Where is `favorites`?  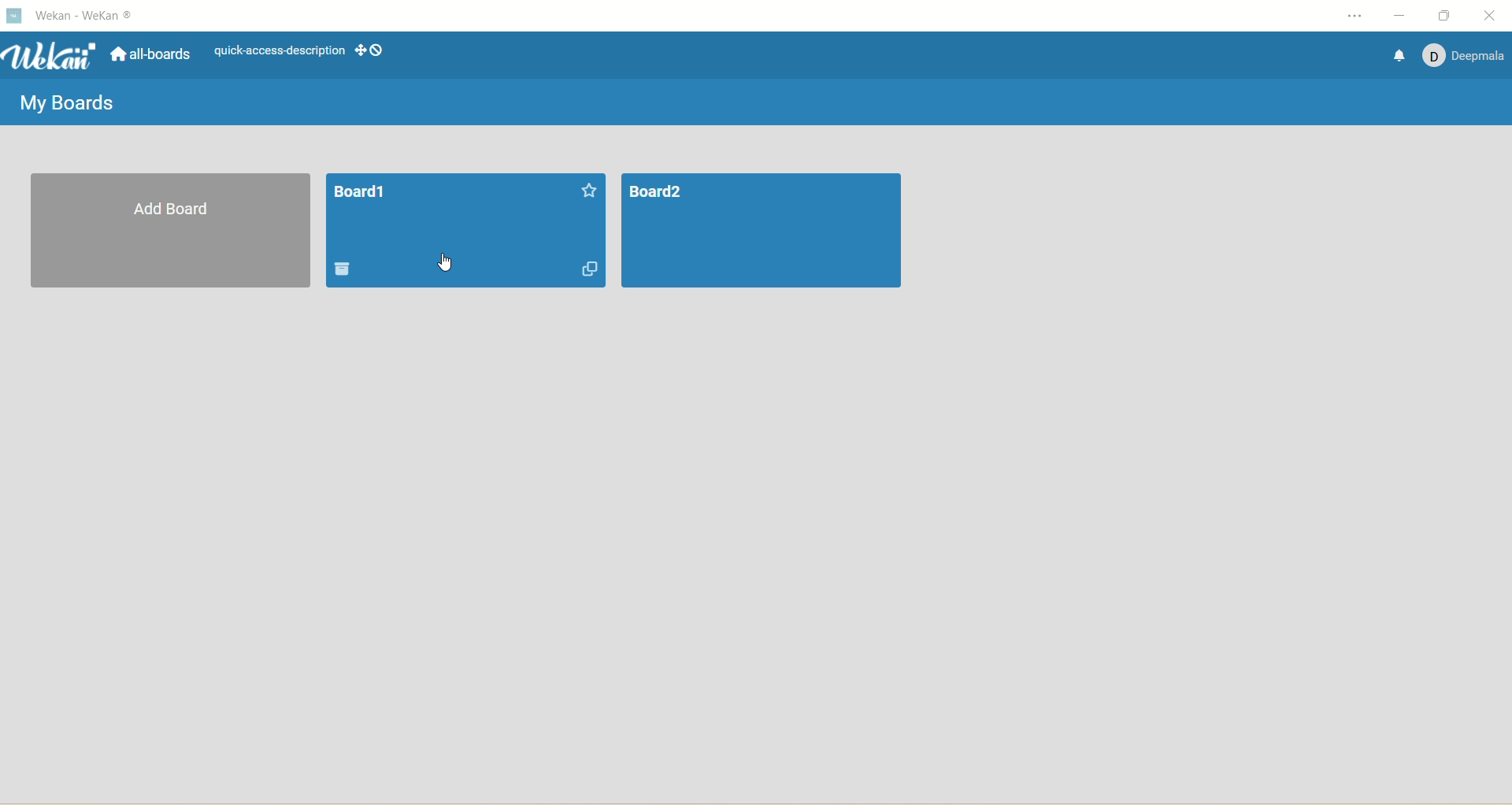
favorites is located at coordinates (589, 191).